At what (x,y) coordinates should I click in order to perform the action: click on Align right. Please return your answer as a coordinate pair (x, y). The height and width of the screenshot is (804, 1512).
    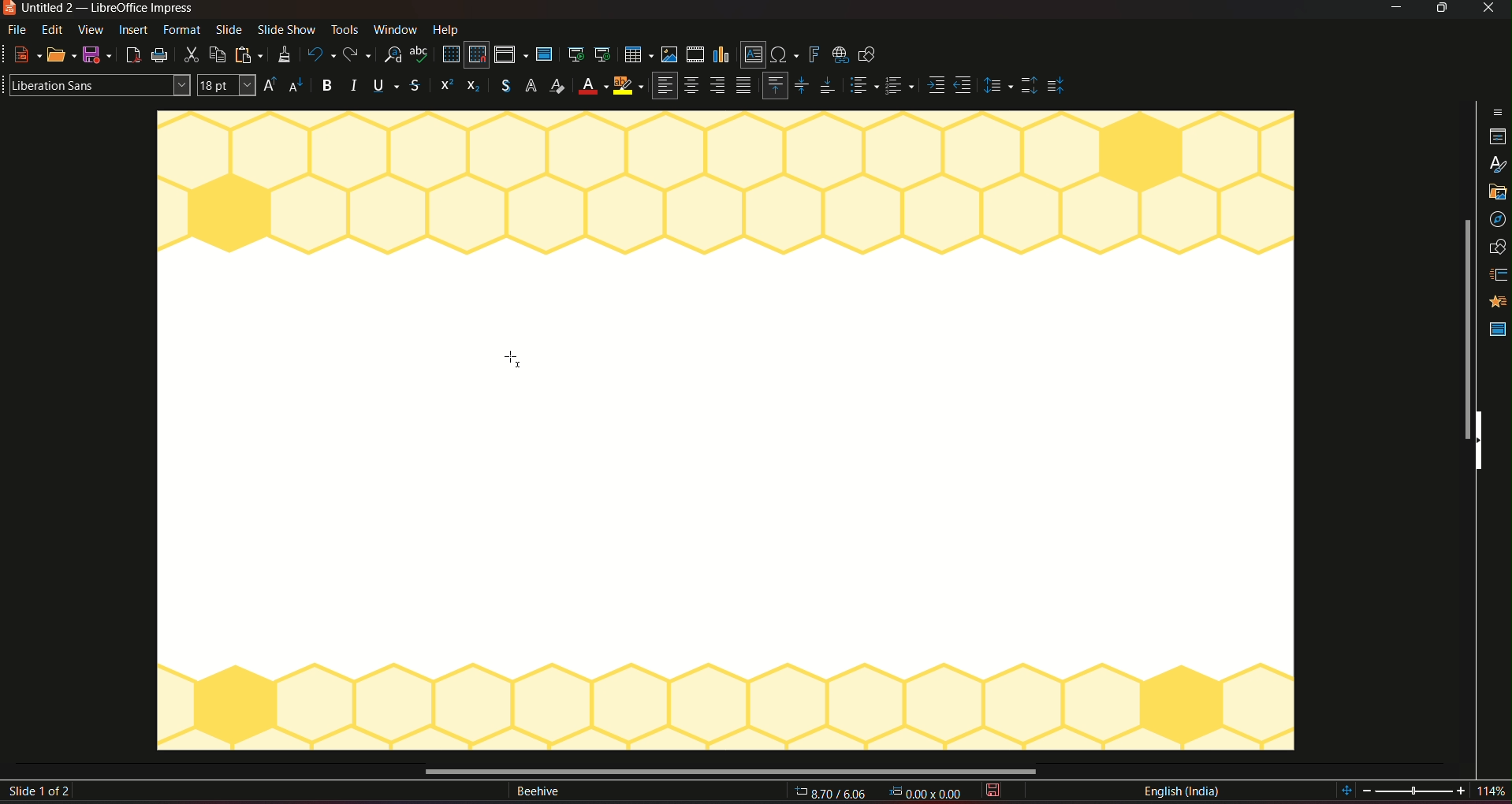
    Looking at the image, I should click on (721, 86).